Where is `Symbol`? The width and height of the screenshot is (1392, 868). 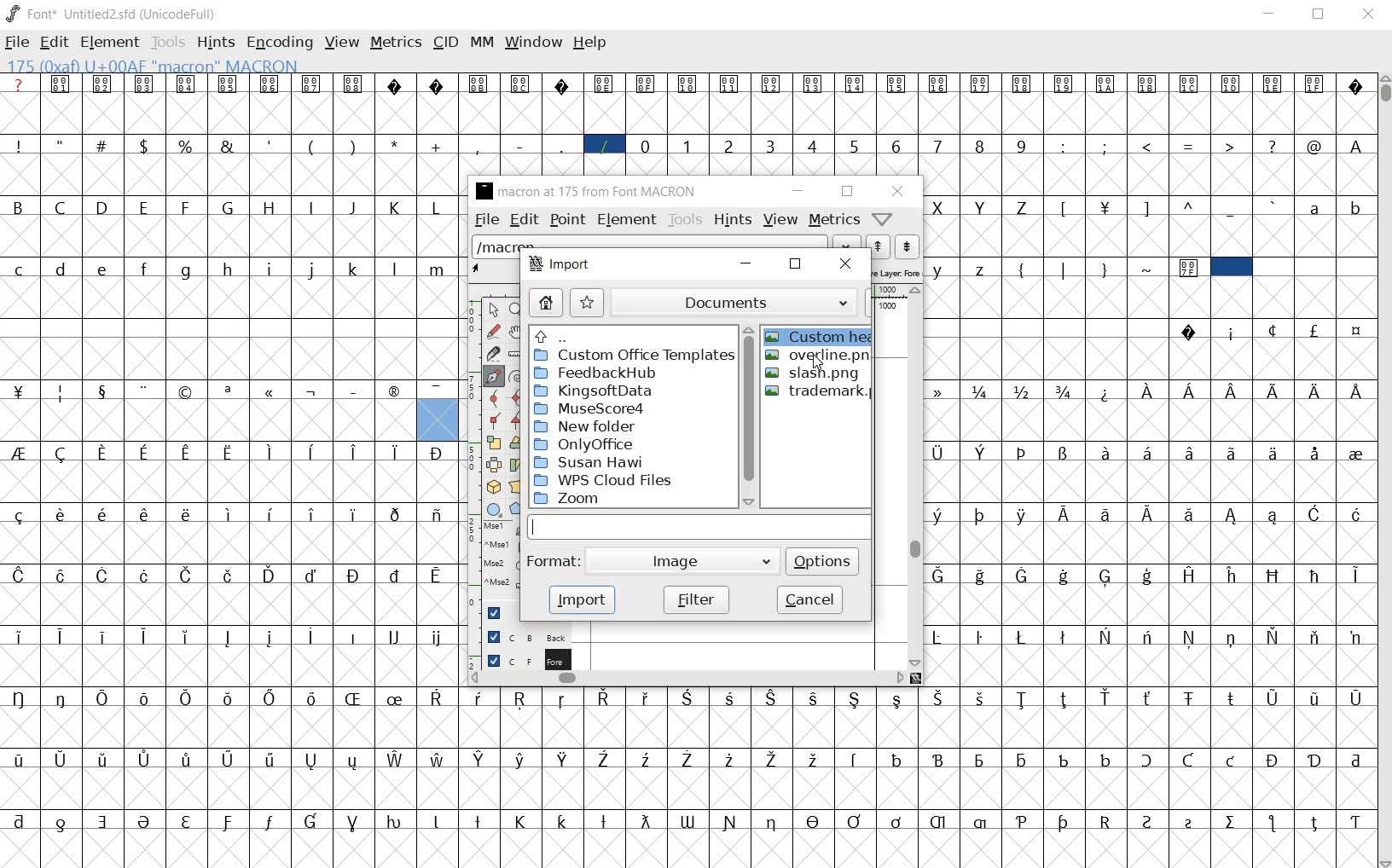 Symbol is located at coordinates (397, 759).